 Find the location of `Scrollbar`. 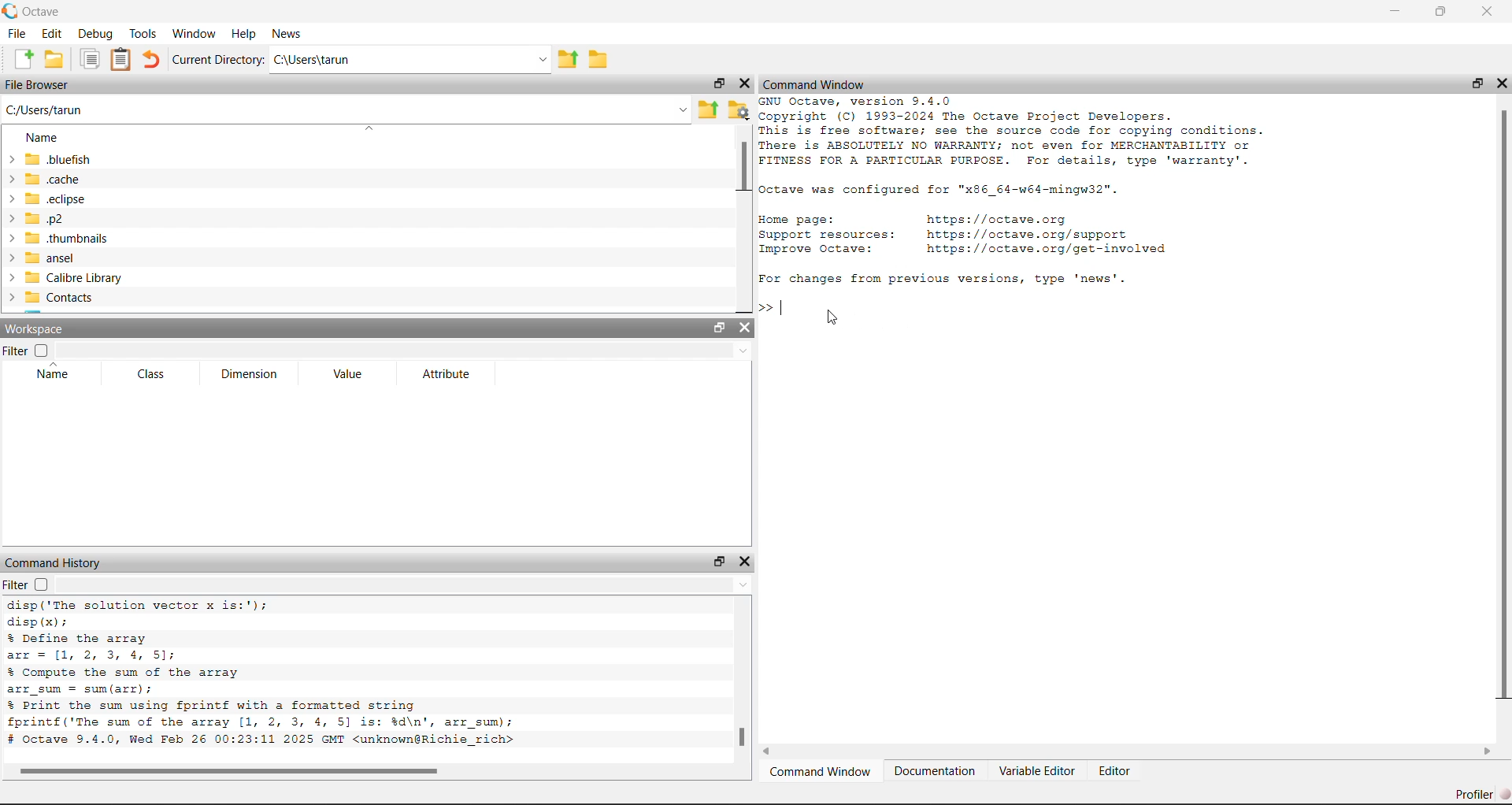

Scrollbar is located at coordinates (742, 167).